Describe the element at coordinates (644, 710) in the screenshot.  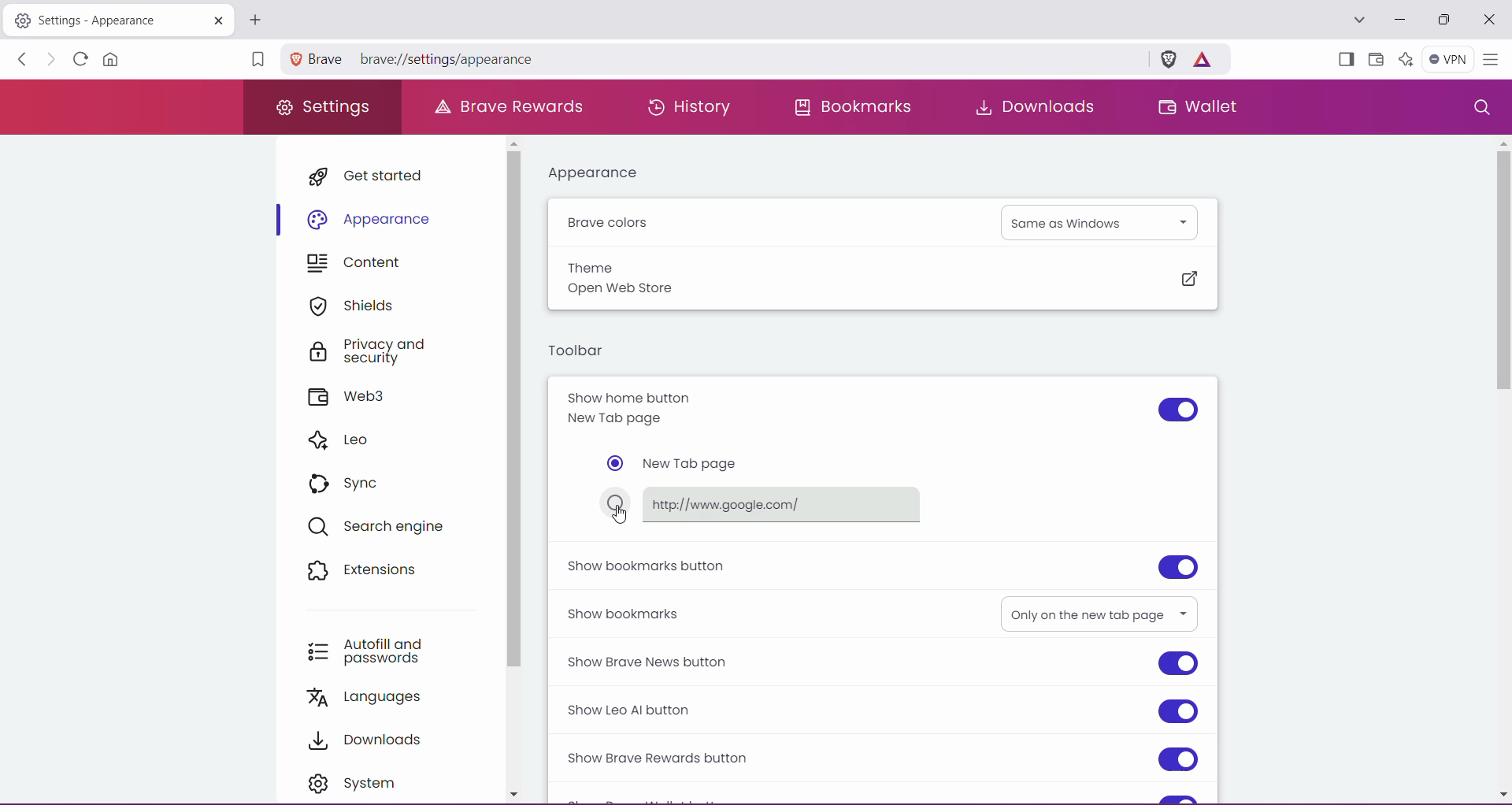
I see `Show Leo AI button` at that location.